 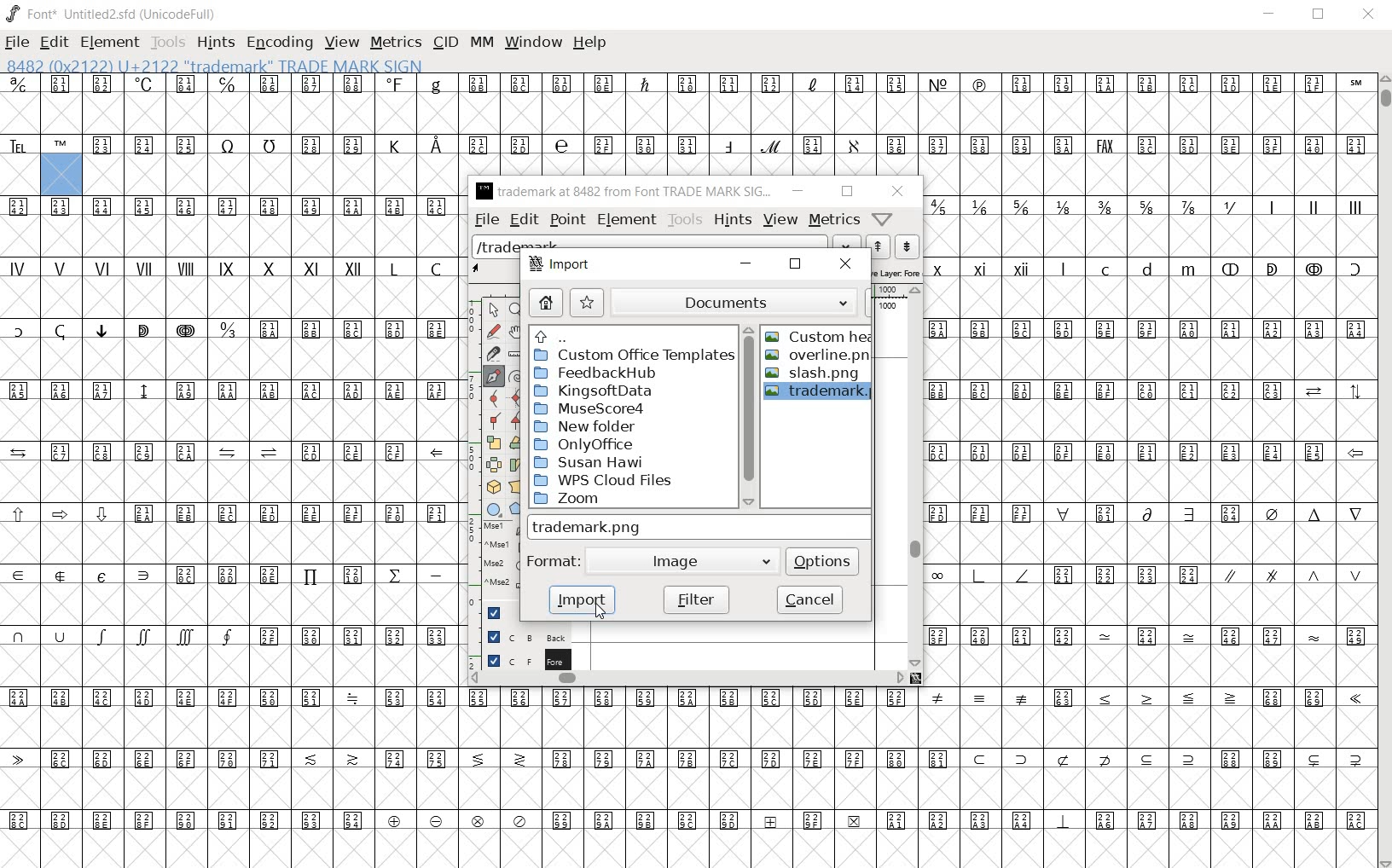 I want to click on change whether spiro is active or not, so click(x=515, y=376).